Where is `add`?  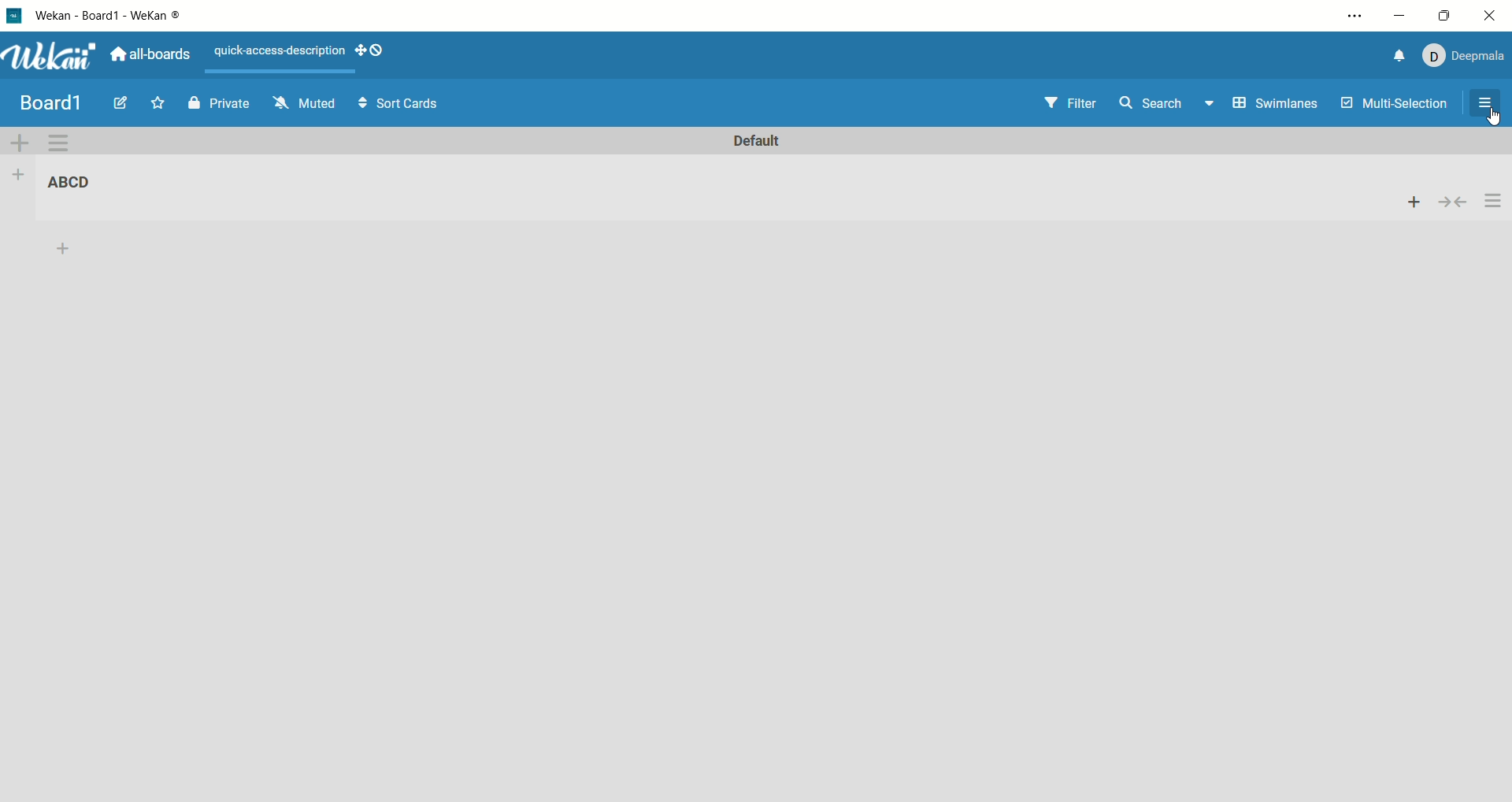
add is located at coordinates (61, 251).